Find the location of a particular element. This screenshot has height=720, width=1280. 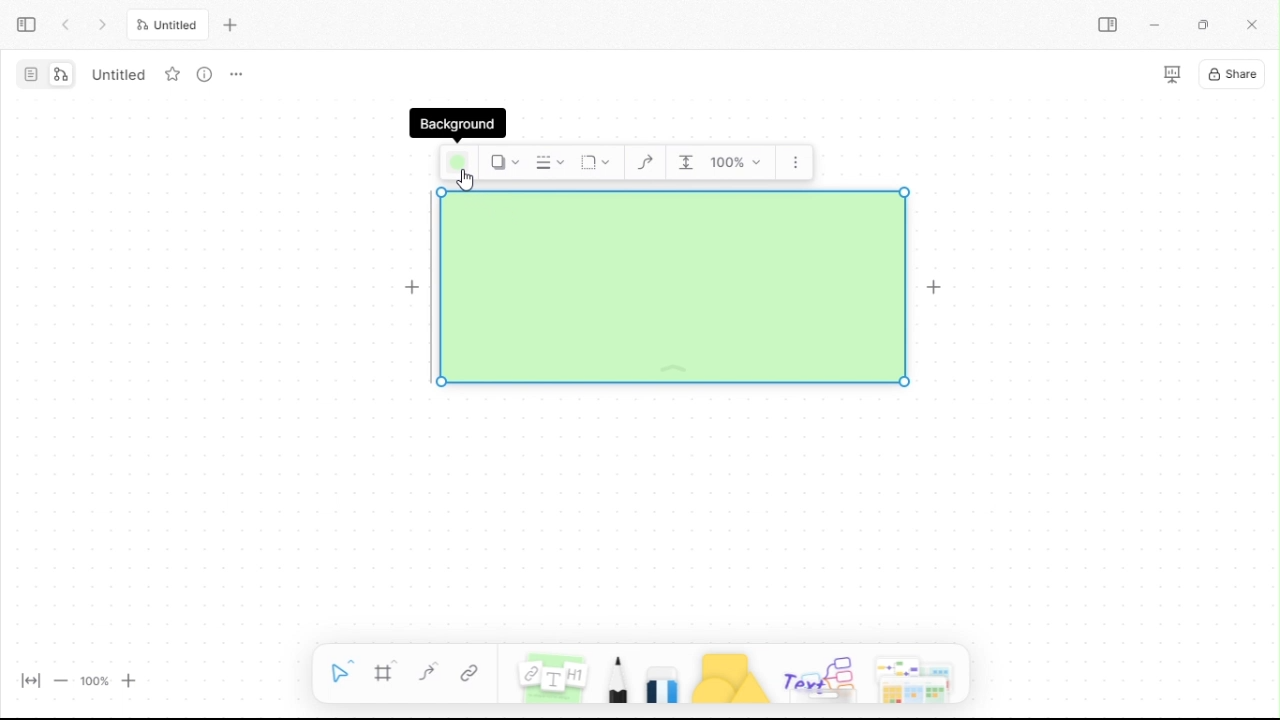

untitled is located at coordinates (166, 26).